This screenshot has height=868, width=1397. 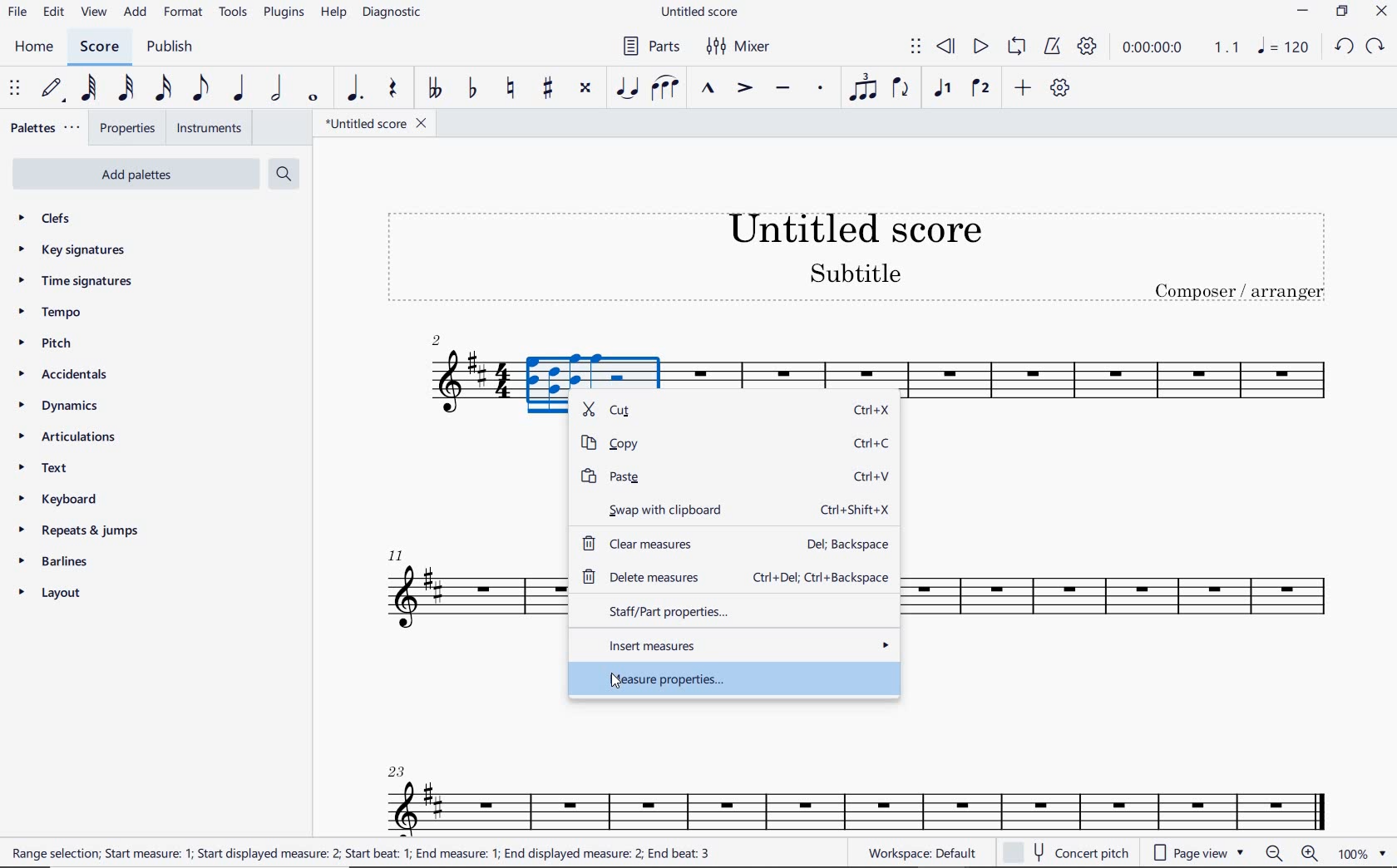 What do you see at coordinates (61, 343) in the screenshot?
I see `PITCH` at bounding box center [61, 343].